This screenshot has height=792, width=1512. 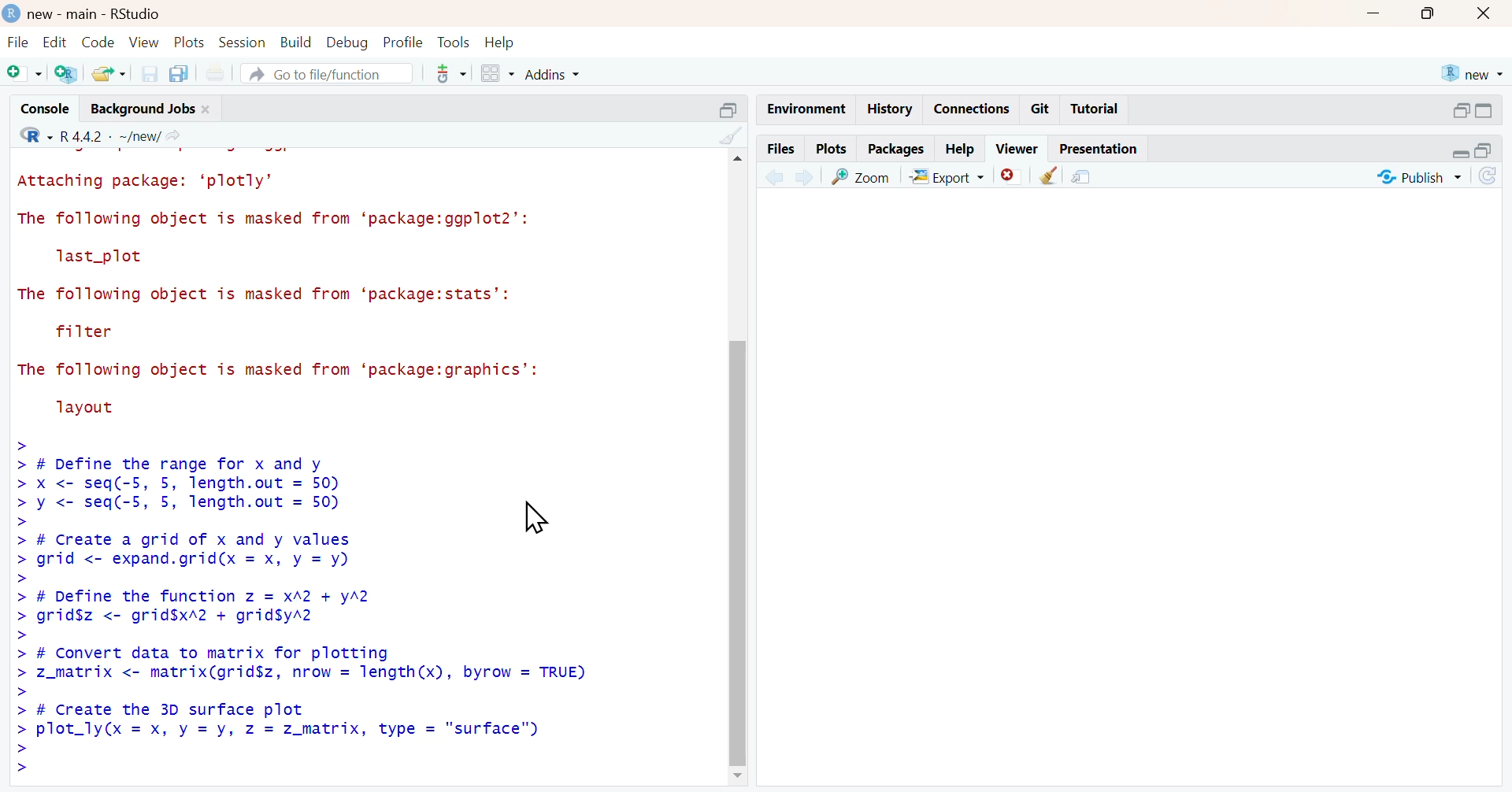 I want to click on view, so click(x=145, y=42).